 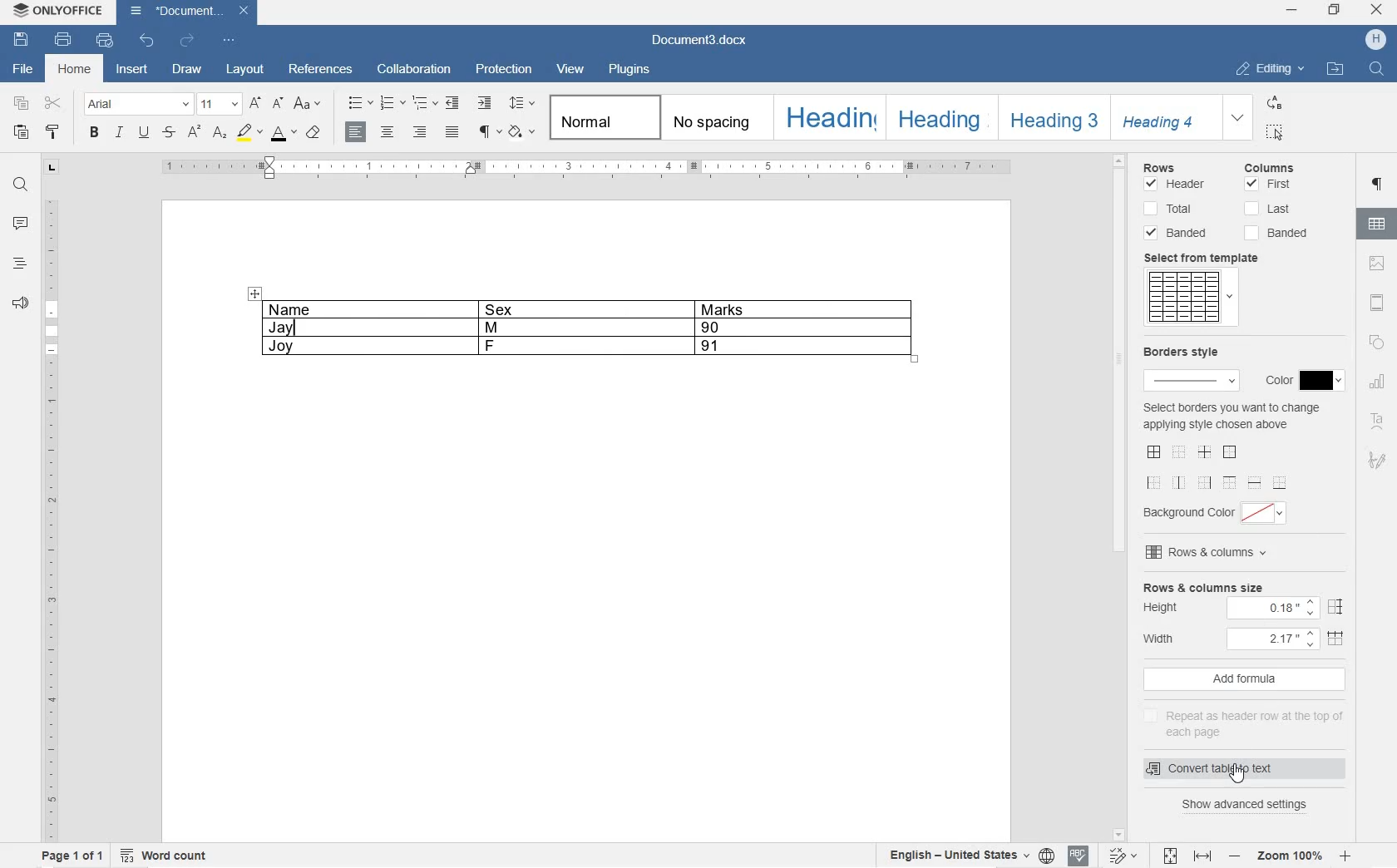 What do you see at coordinates (631, 70) in the screenshot?
I see `PLUGINS` at bounding box center [631, 70].